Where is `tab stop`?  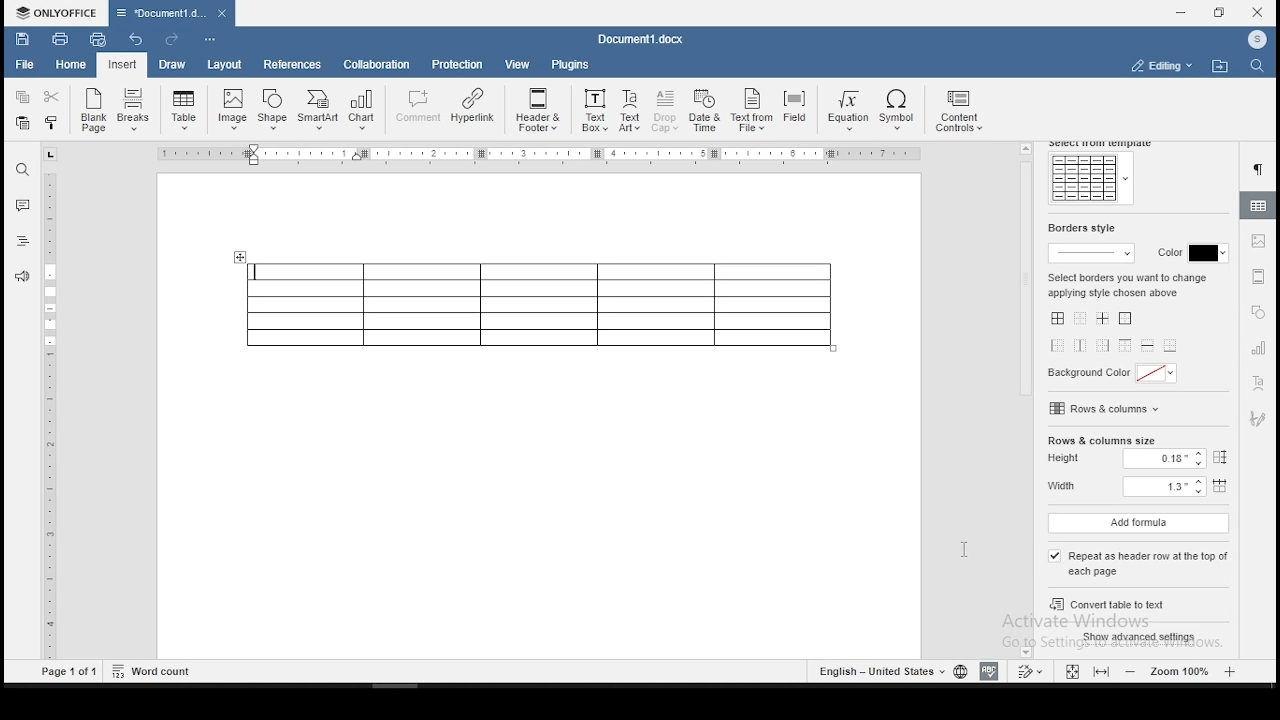
tab stop is located at coordinates (51, 154).